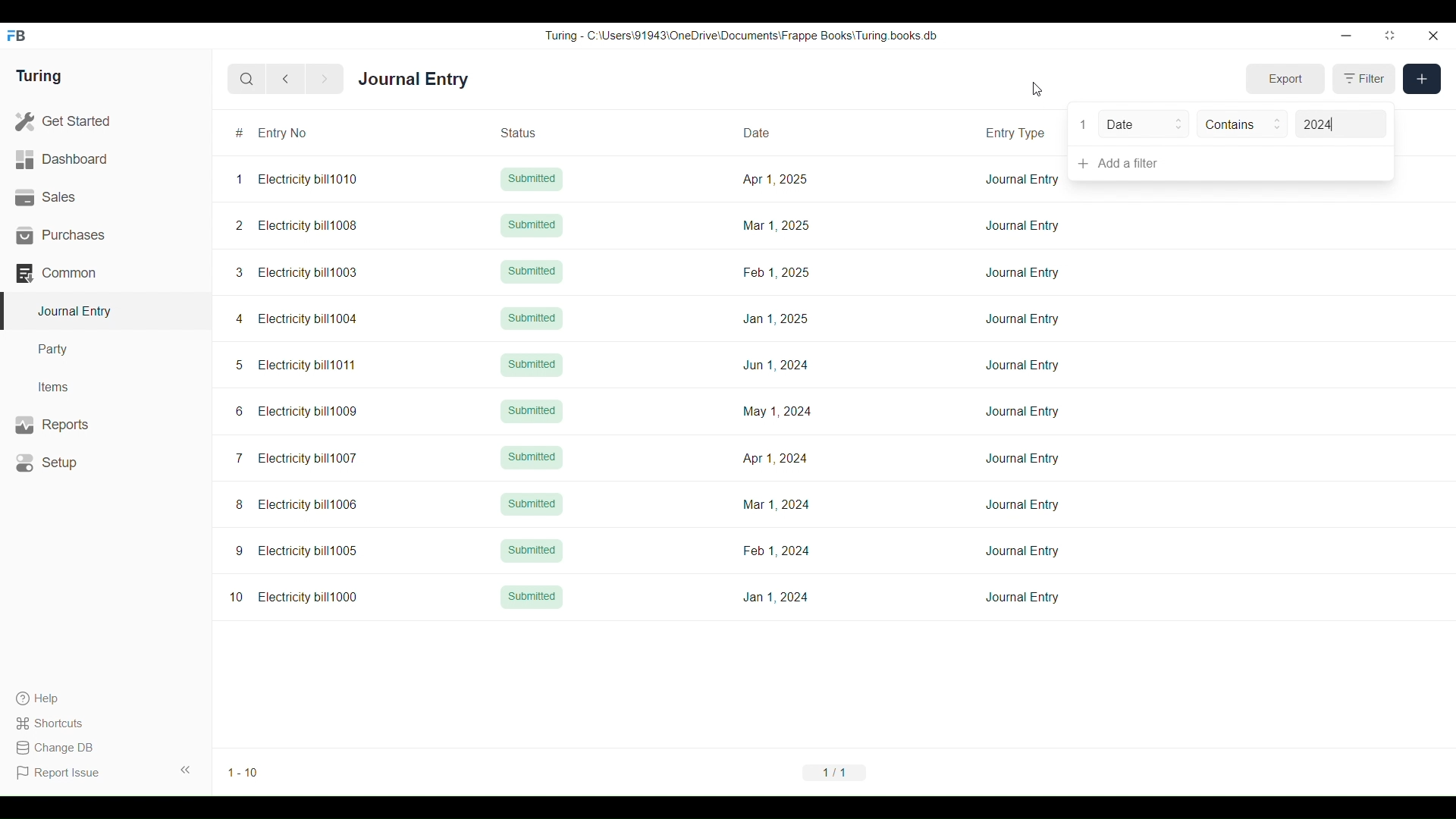  Describe the element at coordinates (834, 772) in the screenshot. I see `1/1` at that location.